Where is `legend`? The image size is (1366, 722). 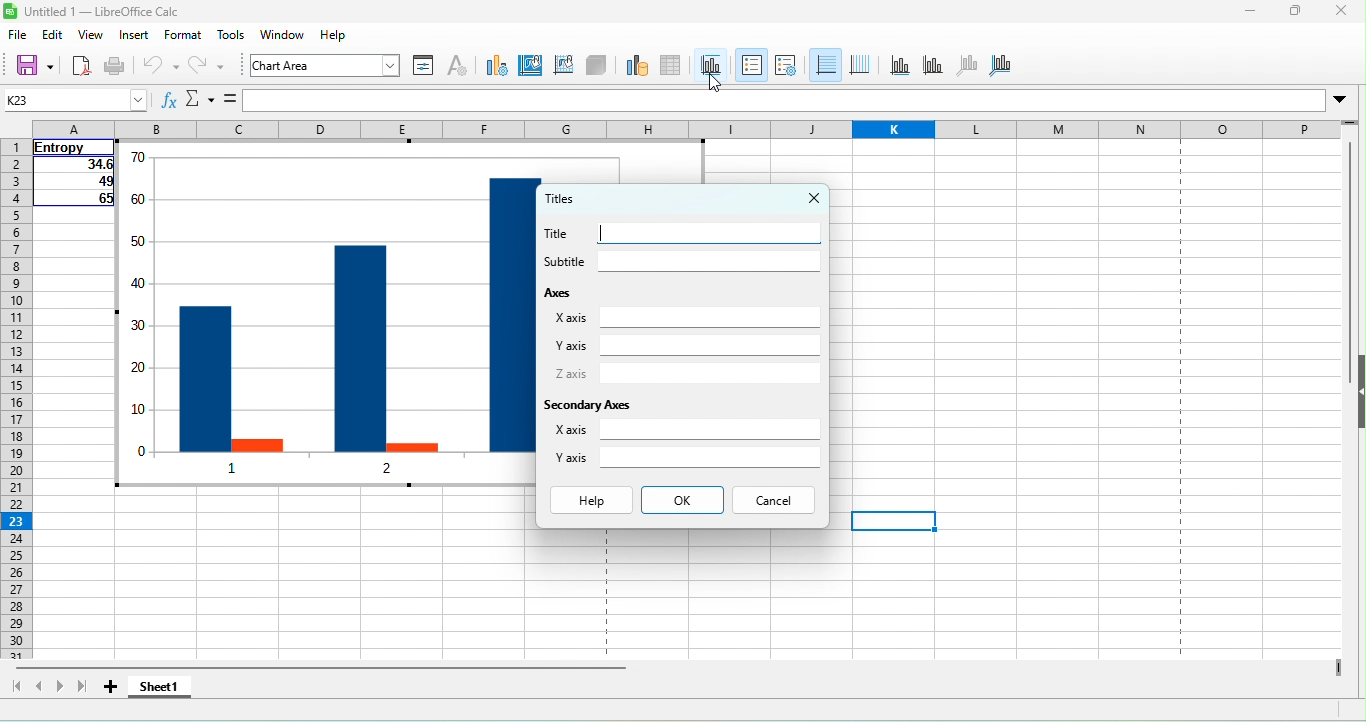
legend is located at coordinates (787, 66).